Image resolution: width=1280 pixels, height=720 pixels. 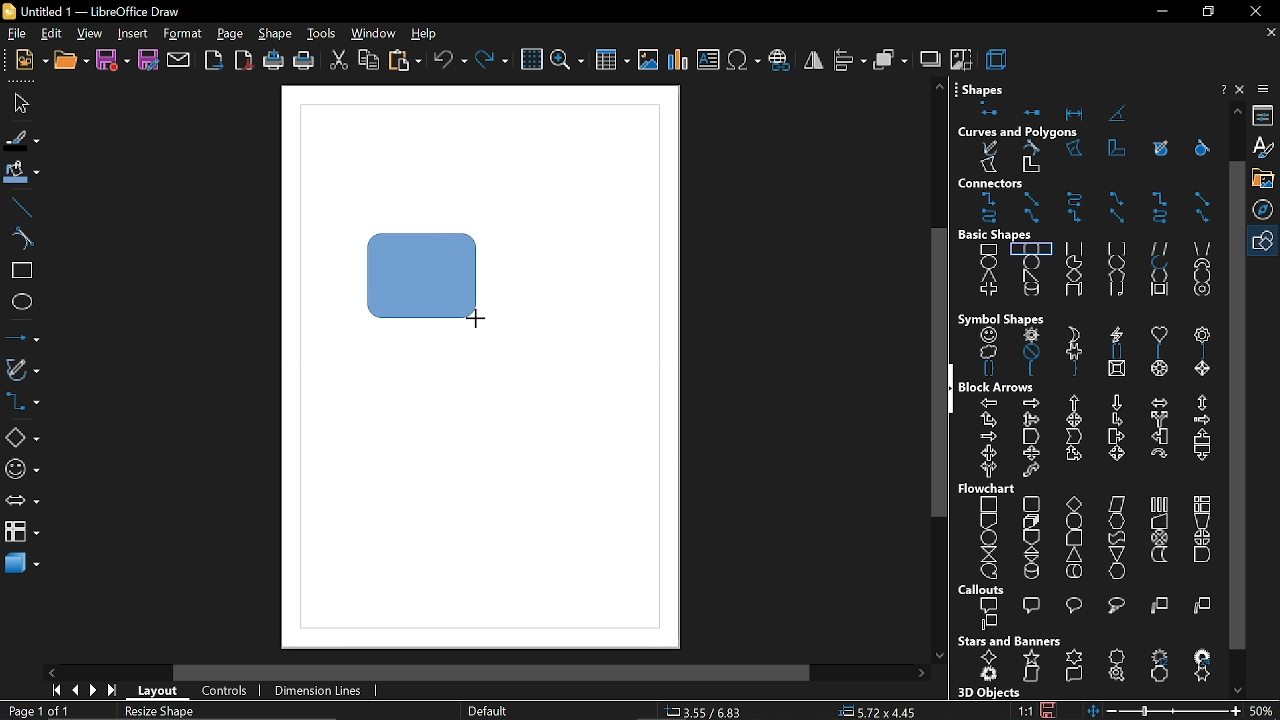 What do you see at coordinates (1254, 11) in the screenshot?
I see `close` at bounding box center [1254, 11].